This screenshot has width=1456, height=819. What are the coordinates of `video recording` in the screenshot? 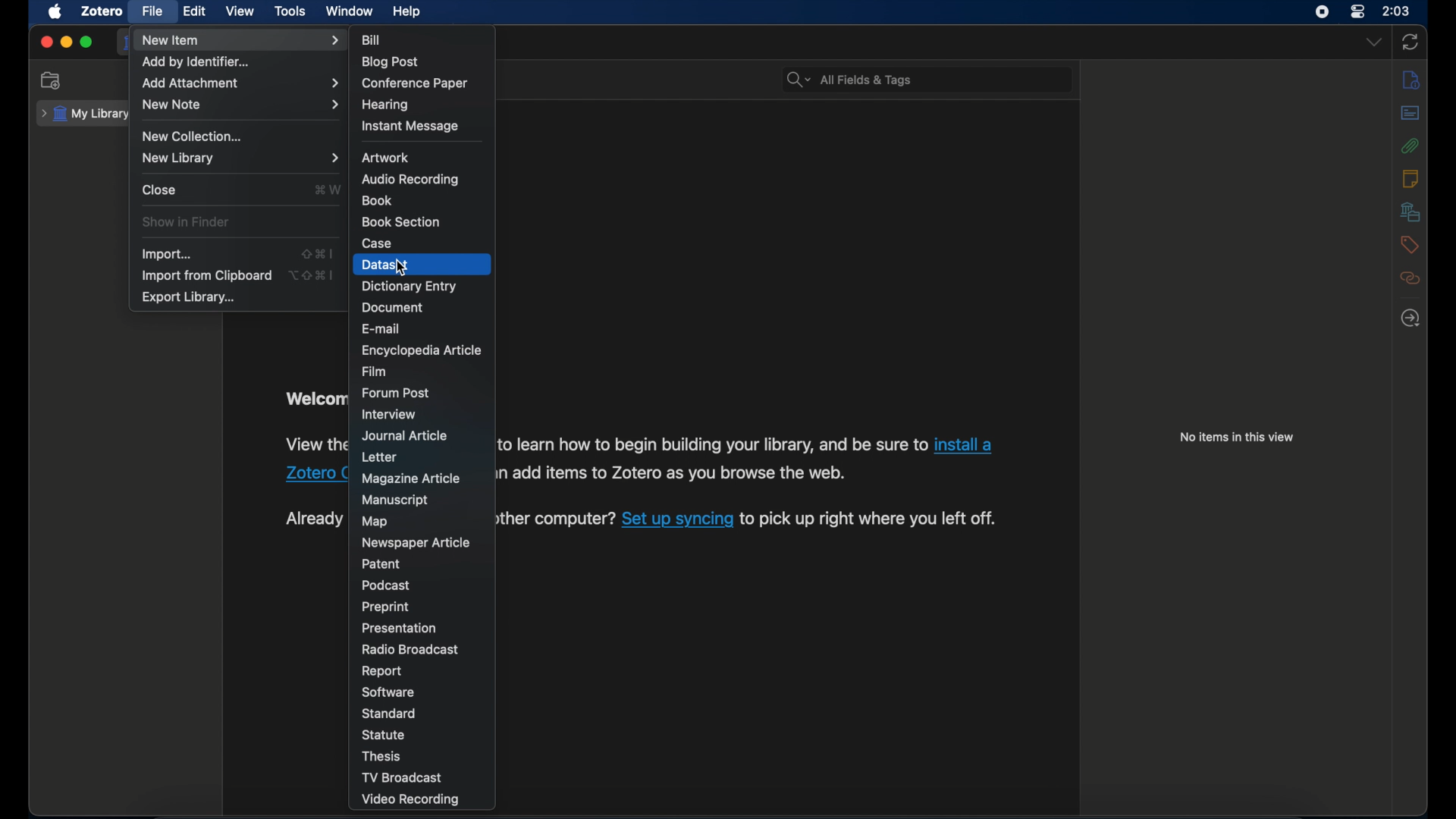 It's located at (409, 800).